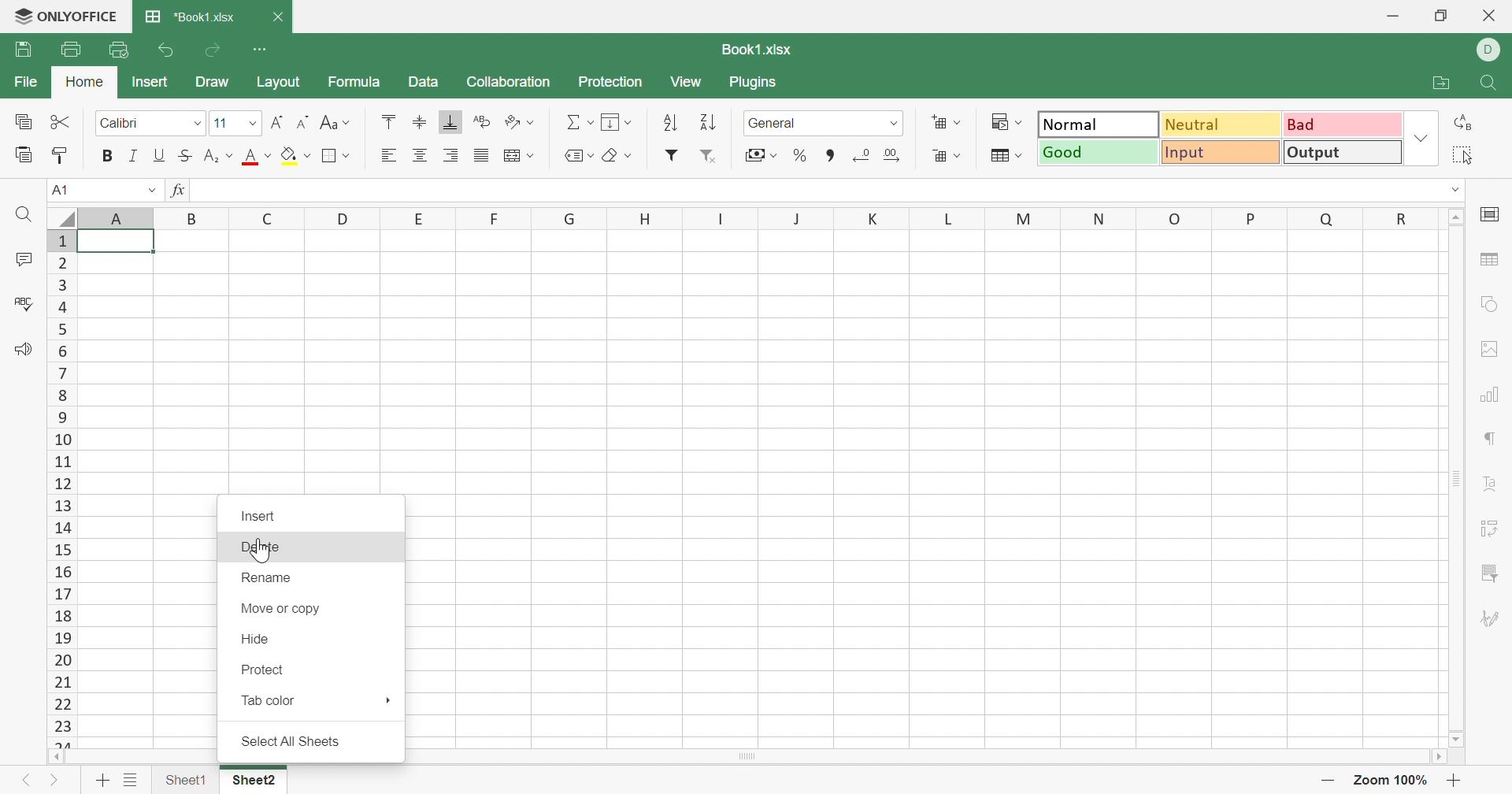  Describe the element at coordinates (506, 83) in the screenshot. I see `Collaboration` at that location.